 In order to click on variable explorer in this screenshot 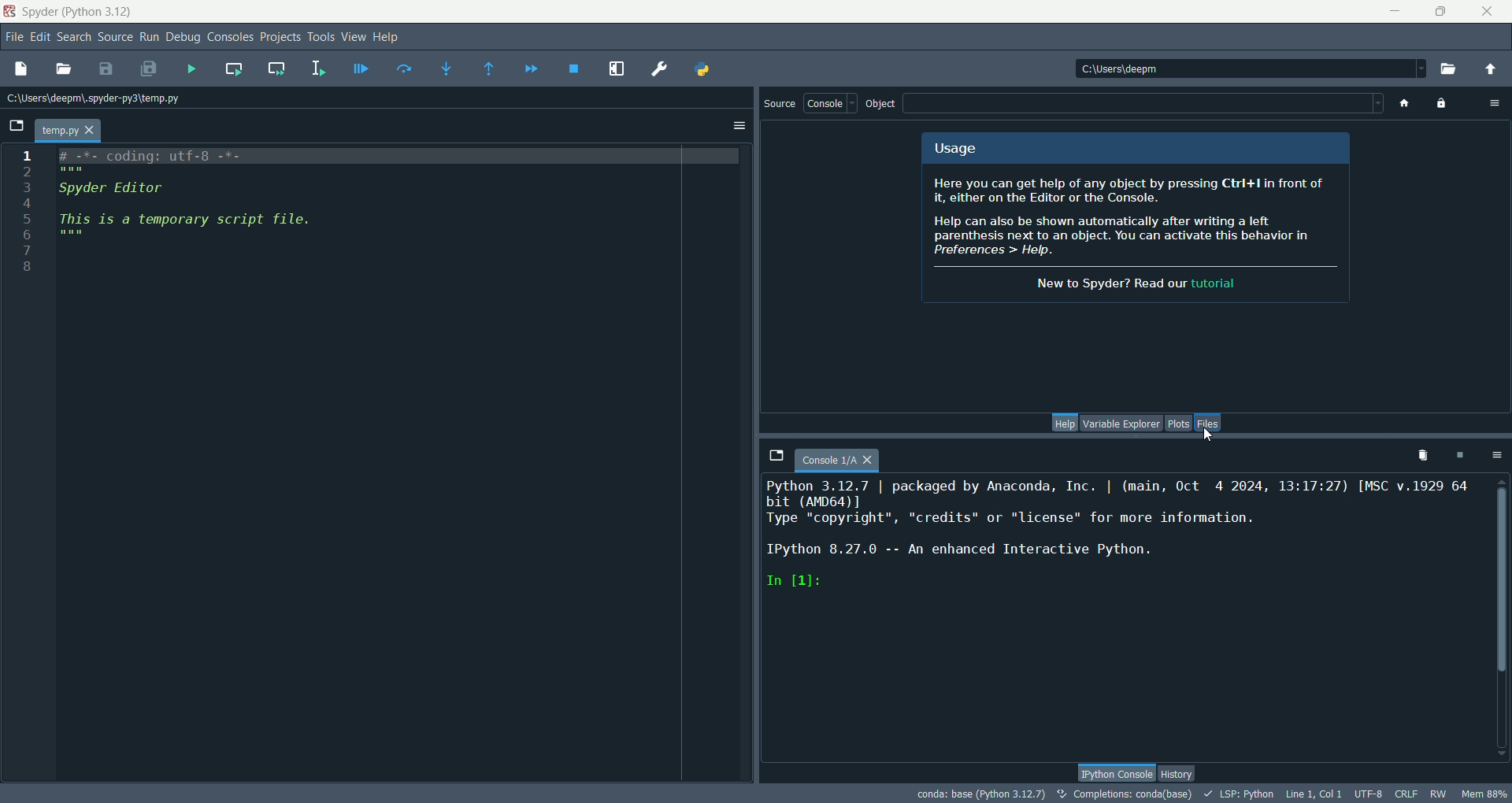, I will do `click(1122, 422)`.